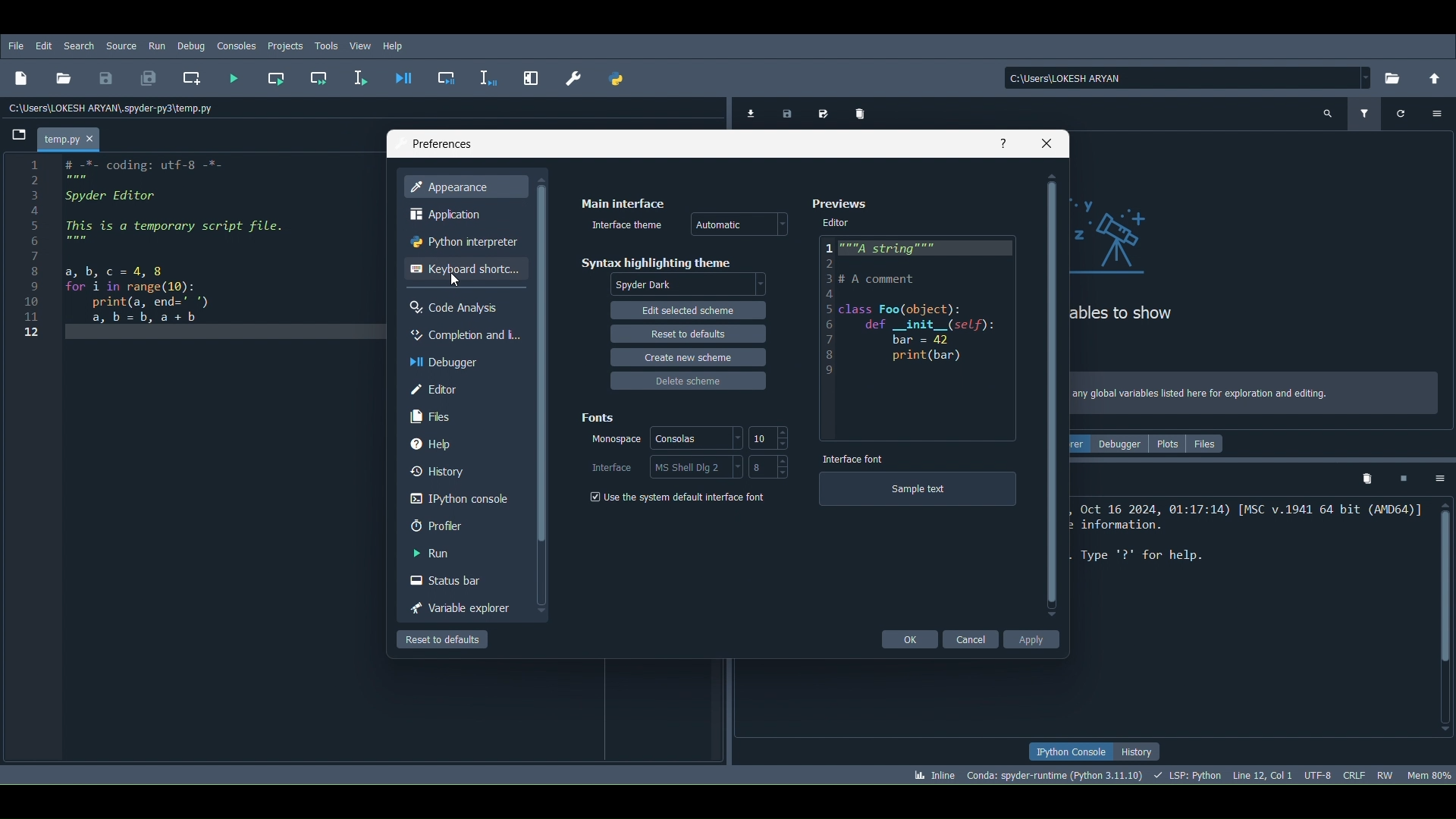  Describe the element at coordinates (438, 141) in the screenshot. I see `Preferences` at that location.